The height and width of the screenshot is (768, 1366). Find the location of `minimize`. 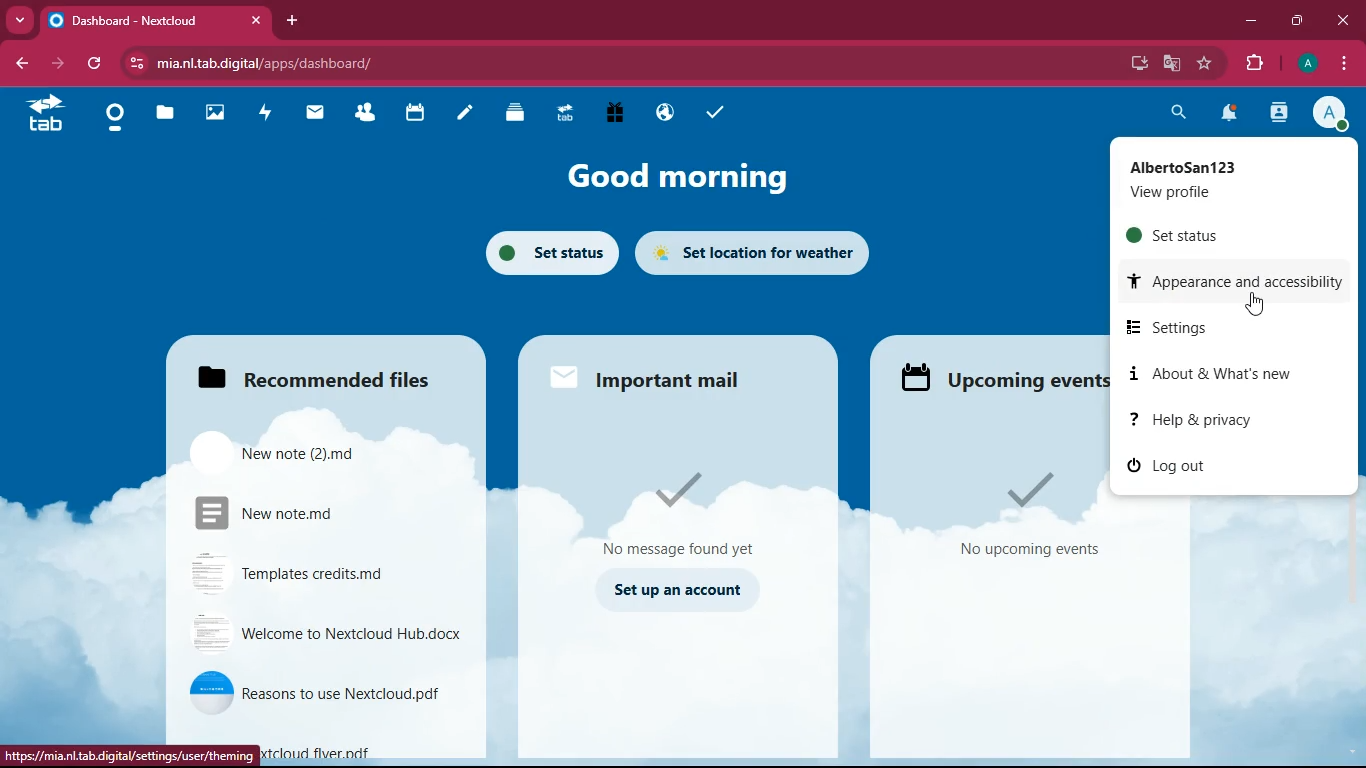

minimize is located at coordinates (1248, 20).